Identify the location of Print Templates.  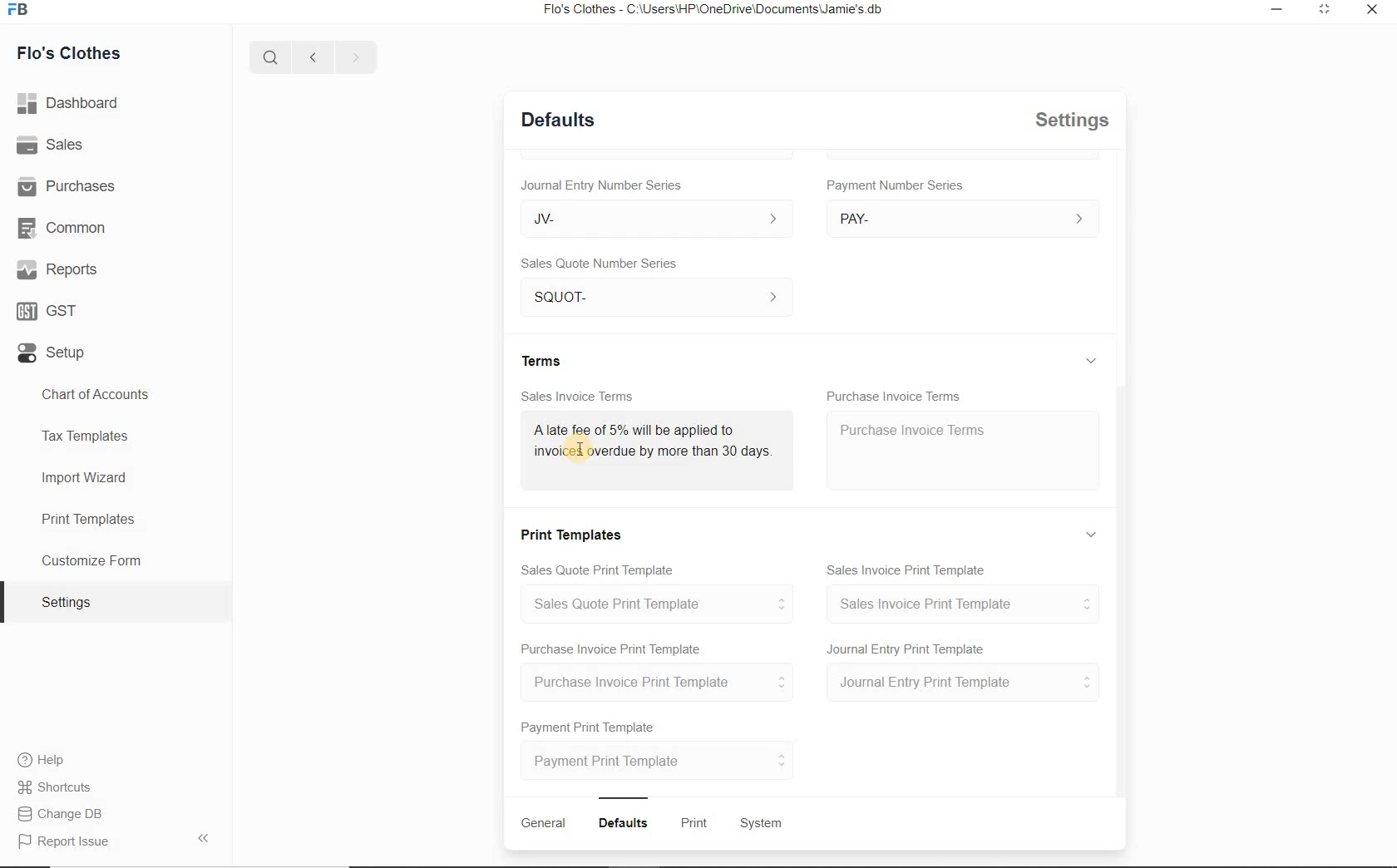
(86, 518).